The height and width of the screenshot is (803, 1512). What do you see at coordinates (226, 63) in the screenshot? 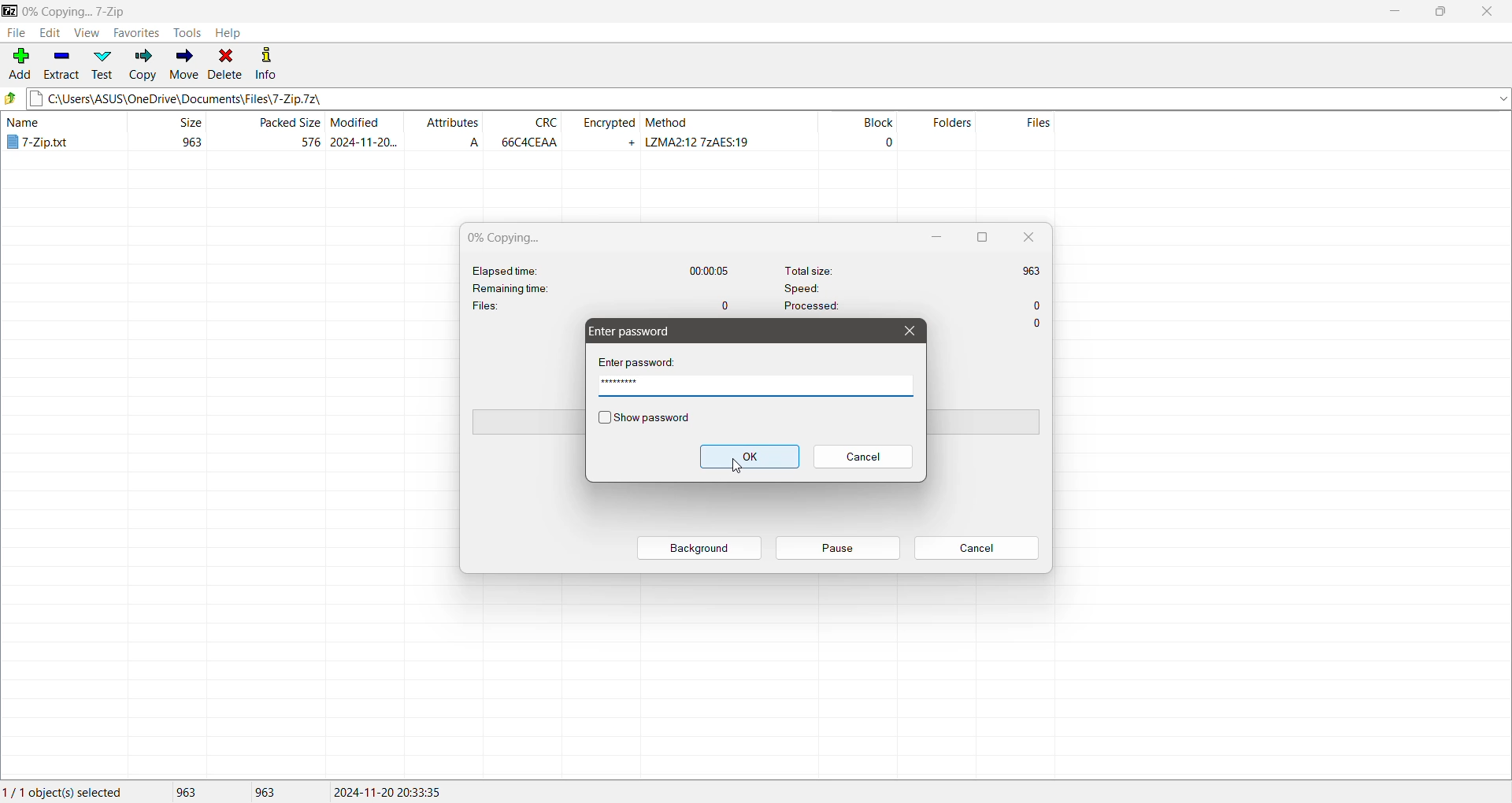
I see `Delete` at bounding box center [226, 63].